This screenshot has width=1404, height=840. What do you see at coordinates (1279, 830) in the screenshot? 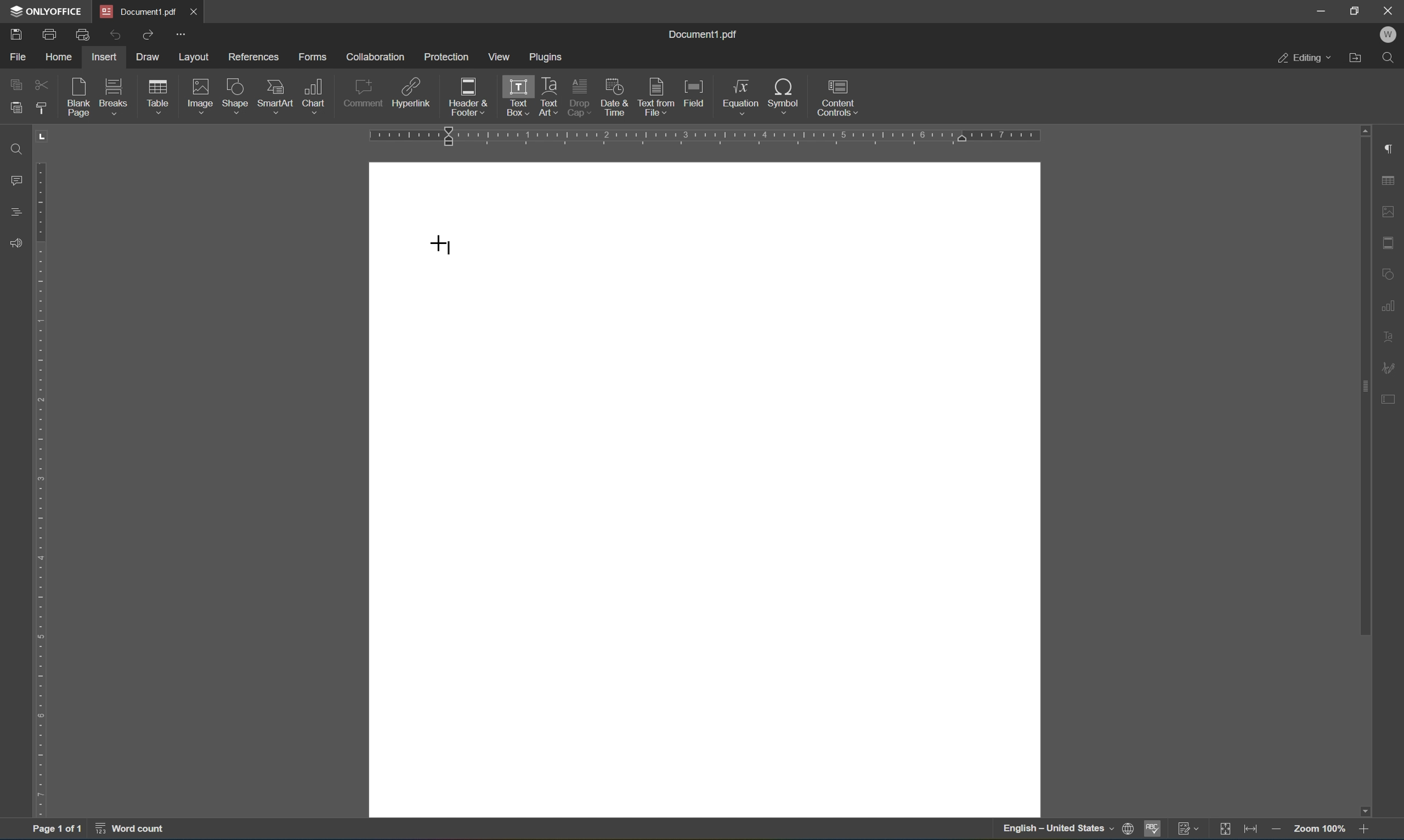
I see `zoom in` at bounding box center [1279, 830].